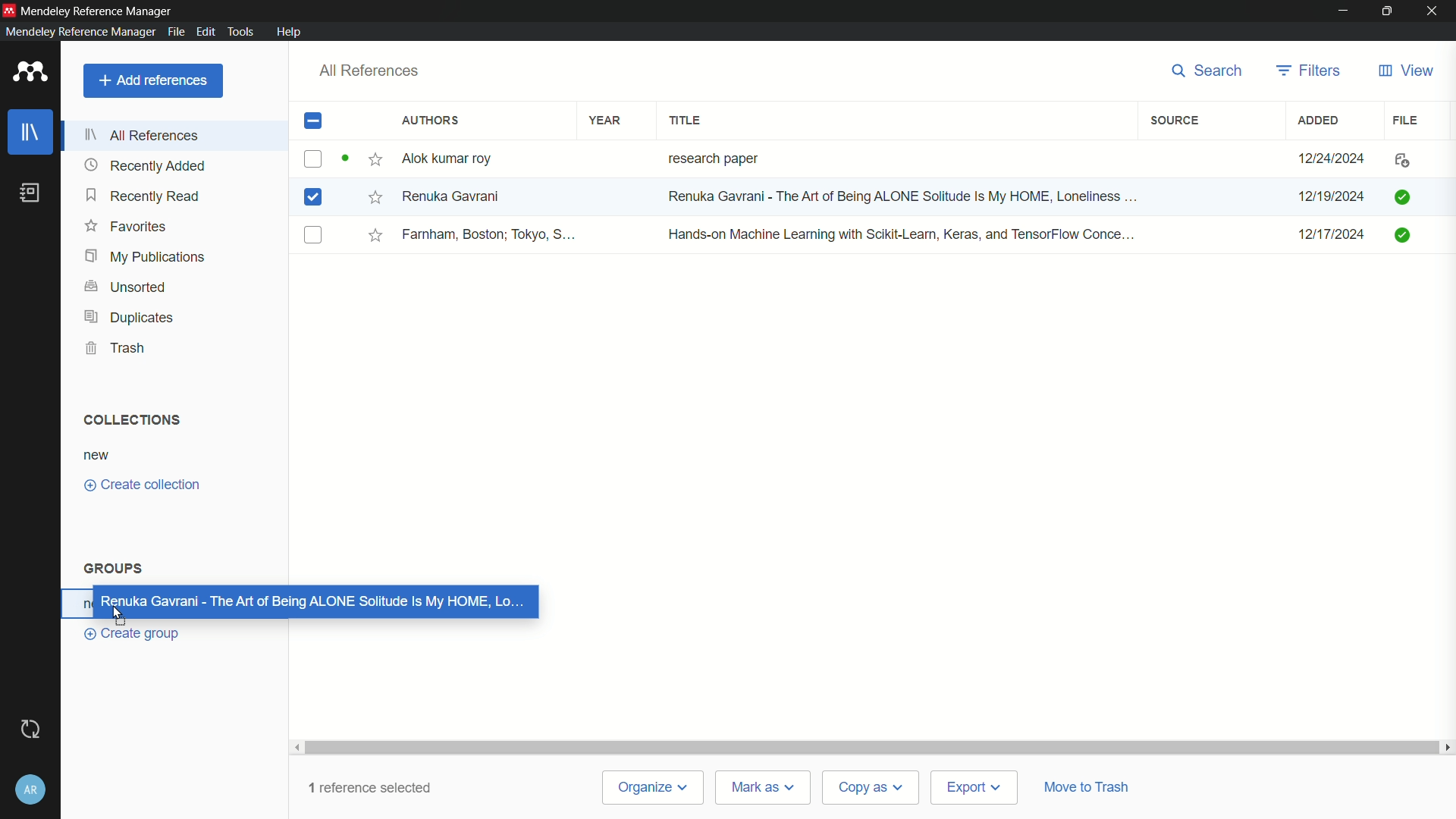  I want to click on export, so click(971, 787).